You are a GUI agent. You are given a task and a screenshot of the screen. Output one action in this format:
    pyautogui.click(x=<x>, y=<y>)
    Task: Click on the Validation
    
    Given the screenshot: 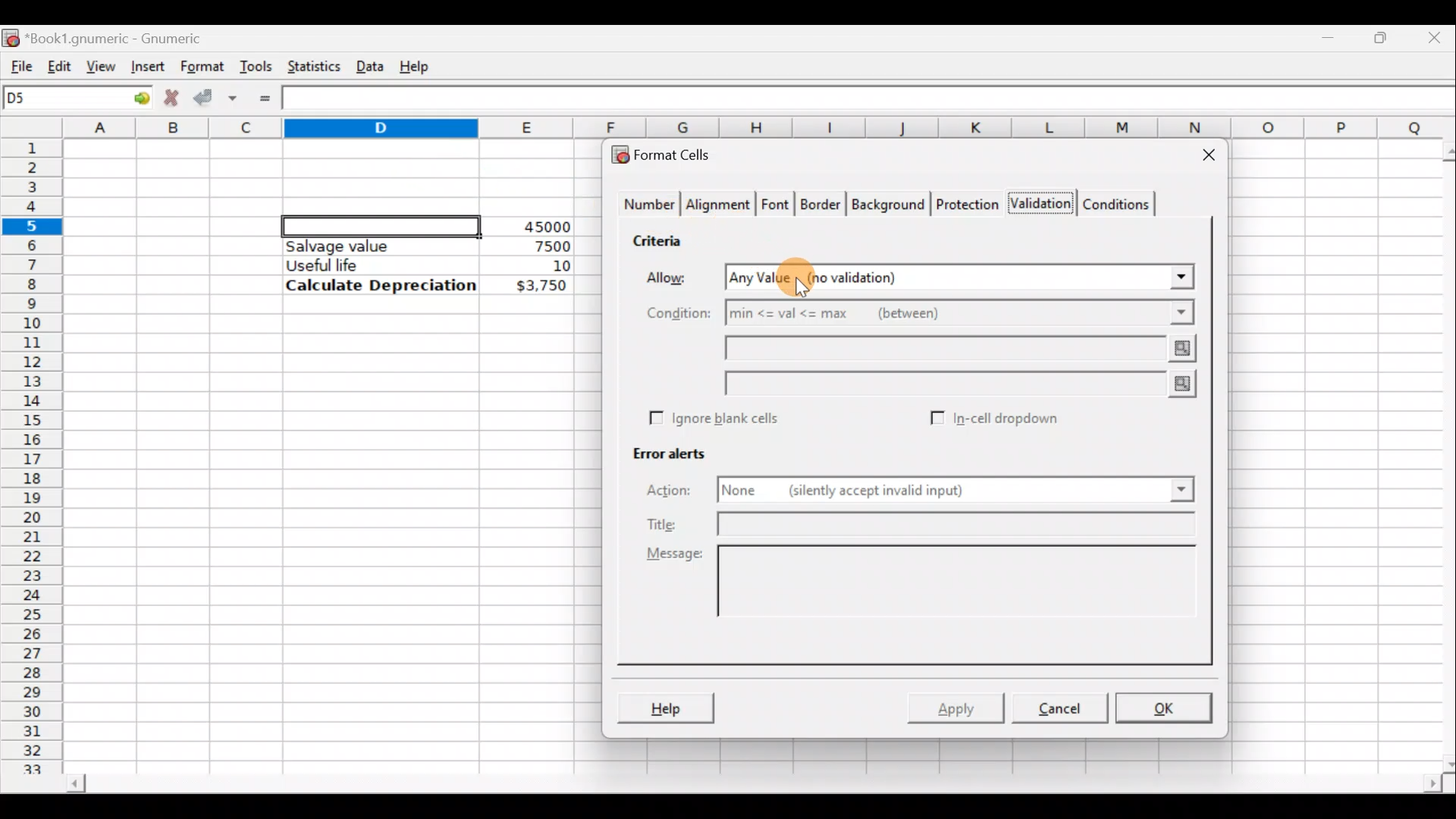 What is the action you would take?
    pyautogui.click(x=1037, y=205)
    